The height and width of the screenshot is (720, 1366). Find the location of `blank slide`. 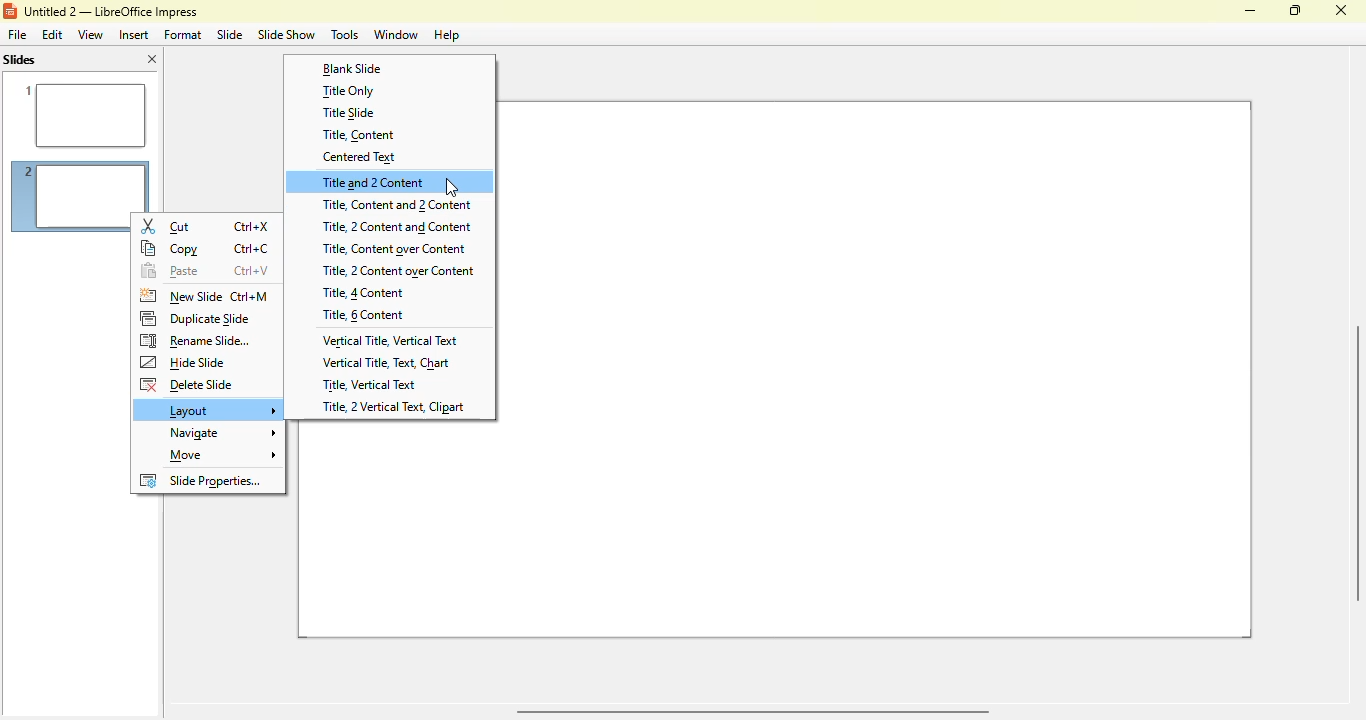

blank slide is located at coordinates (352, 69).